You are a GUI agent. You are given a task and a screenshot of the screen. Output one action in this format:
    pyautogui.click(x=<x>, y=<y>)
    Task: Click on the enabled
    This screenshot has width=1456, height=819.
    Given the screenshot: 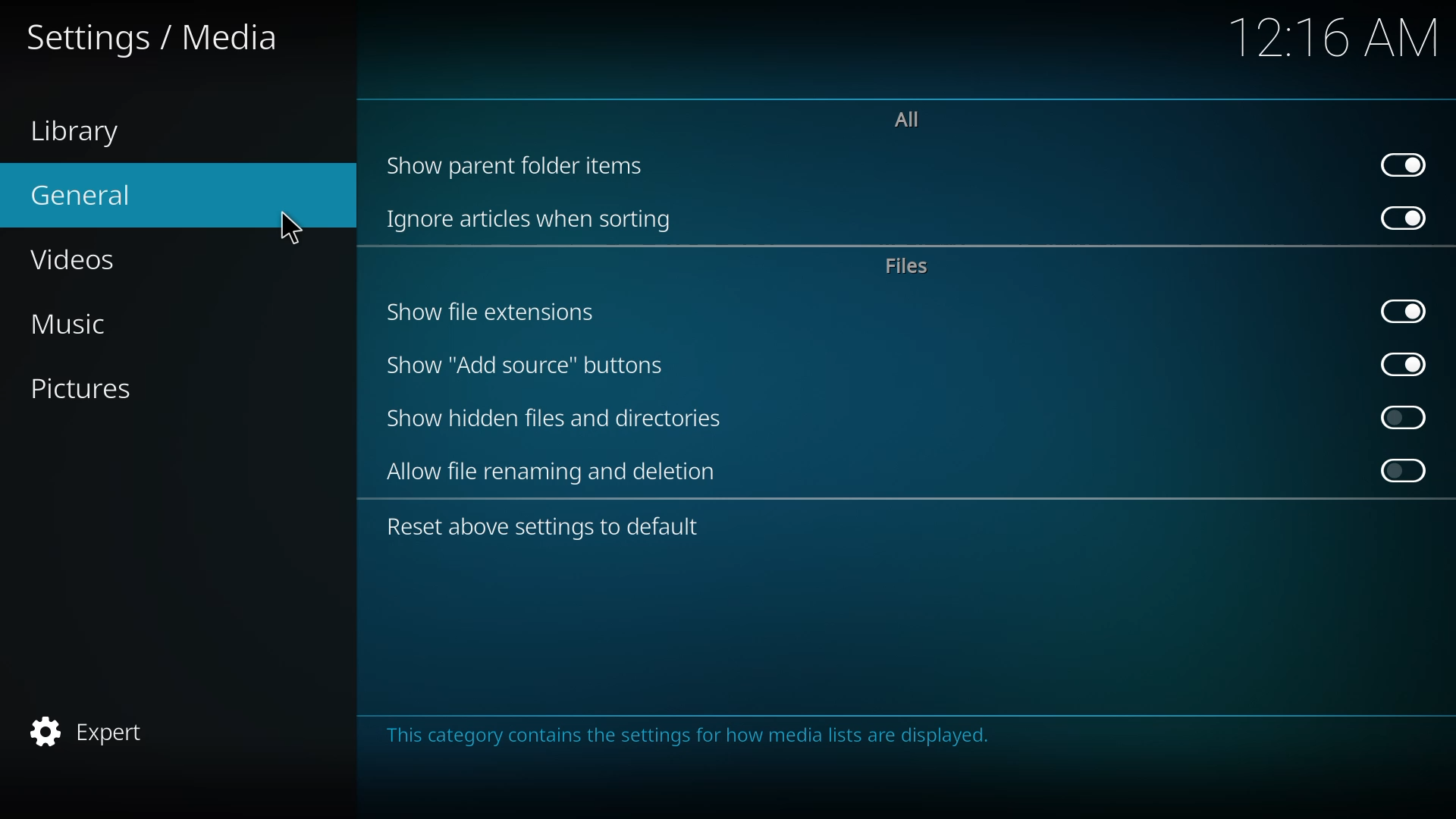 What is the action you would take?
    pyautogui.click(x=1408, y=218)
    